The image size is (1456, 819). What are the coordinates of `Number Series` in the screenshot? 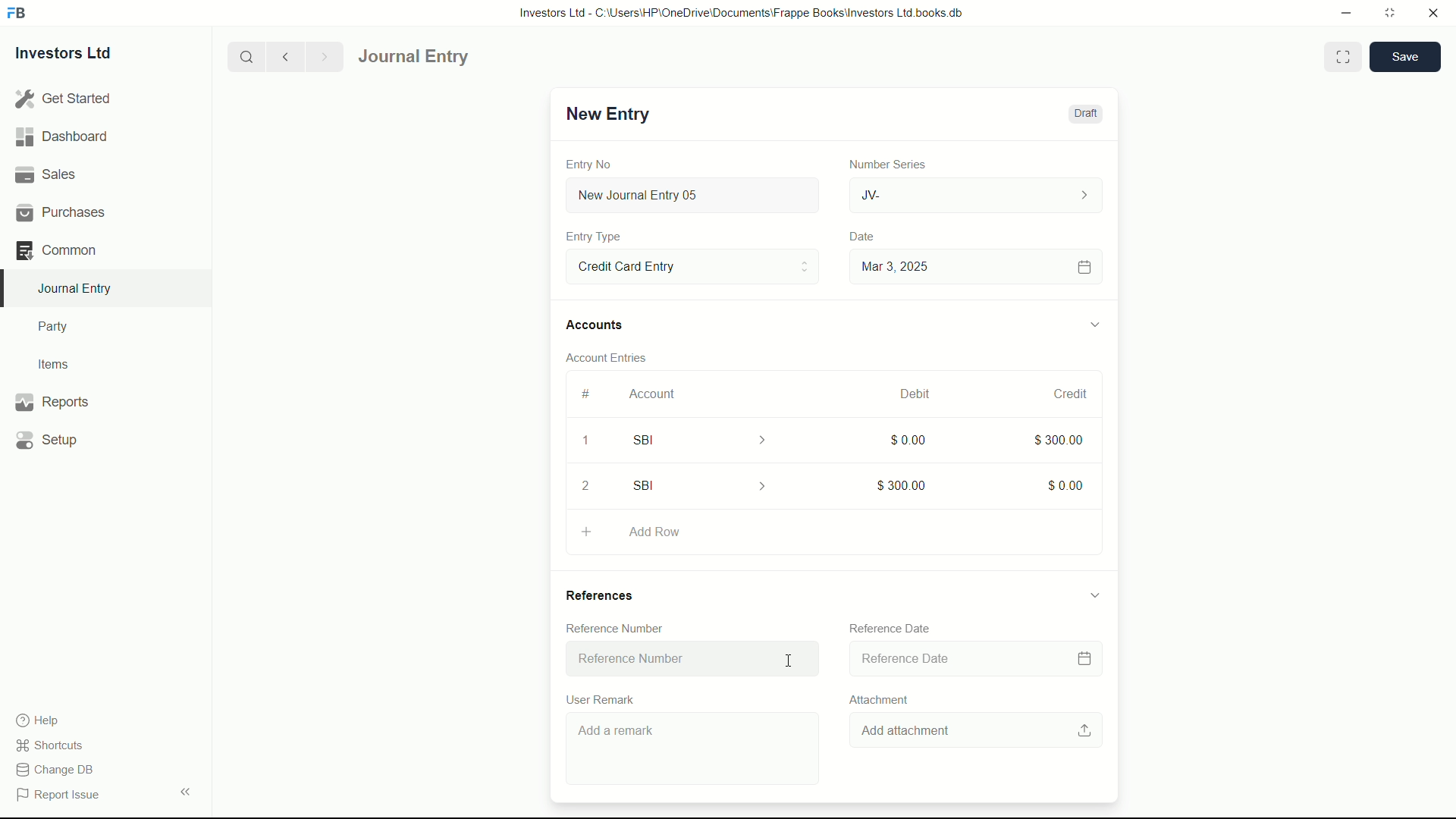 It's located at (881, 163).